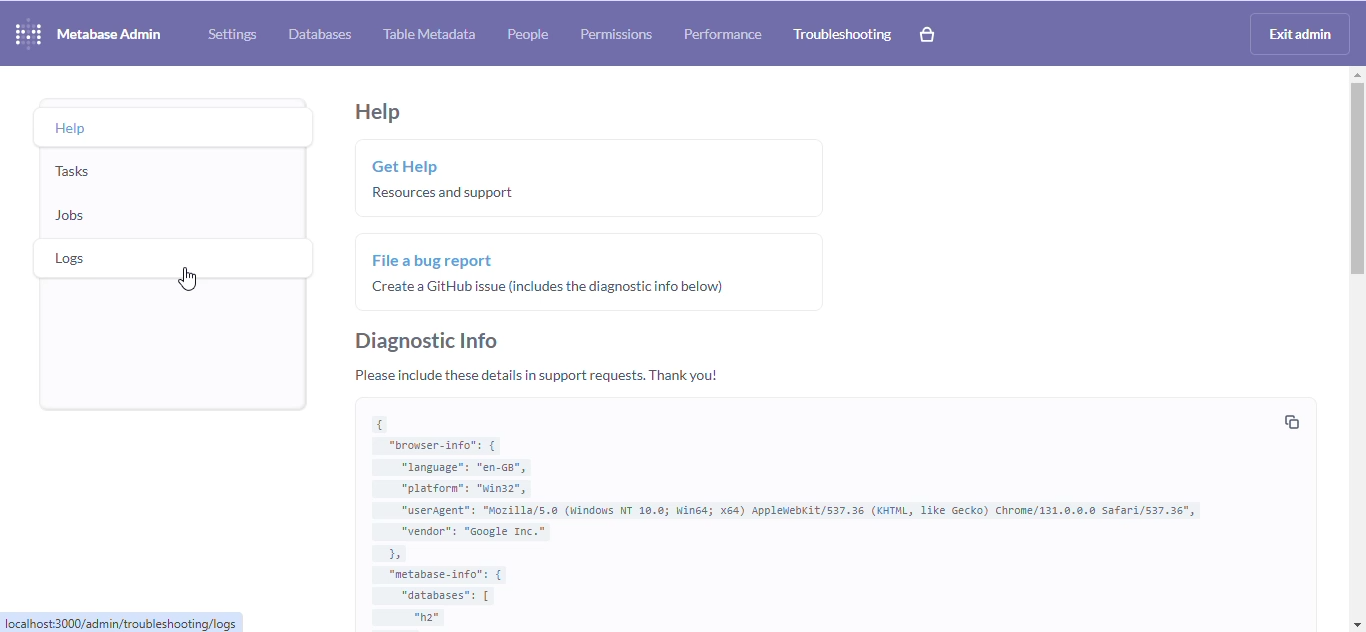  Describe the element at coordinates (809, 514) in the screenshot. I see `diagnostic info` at that location.